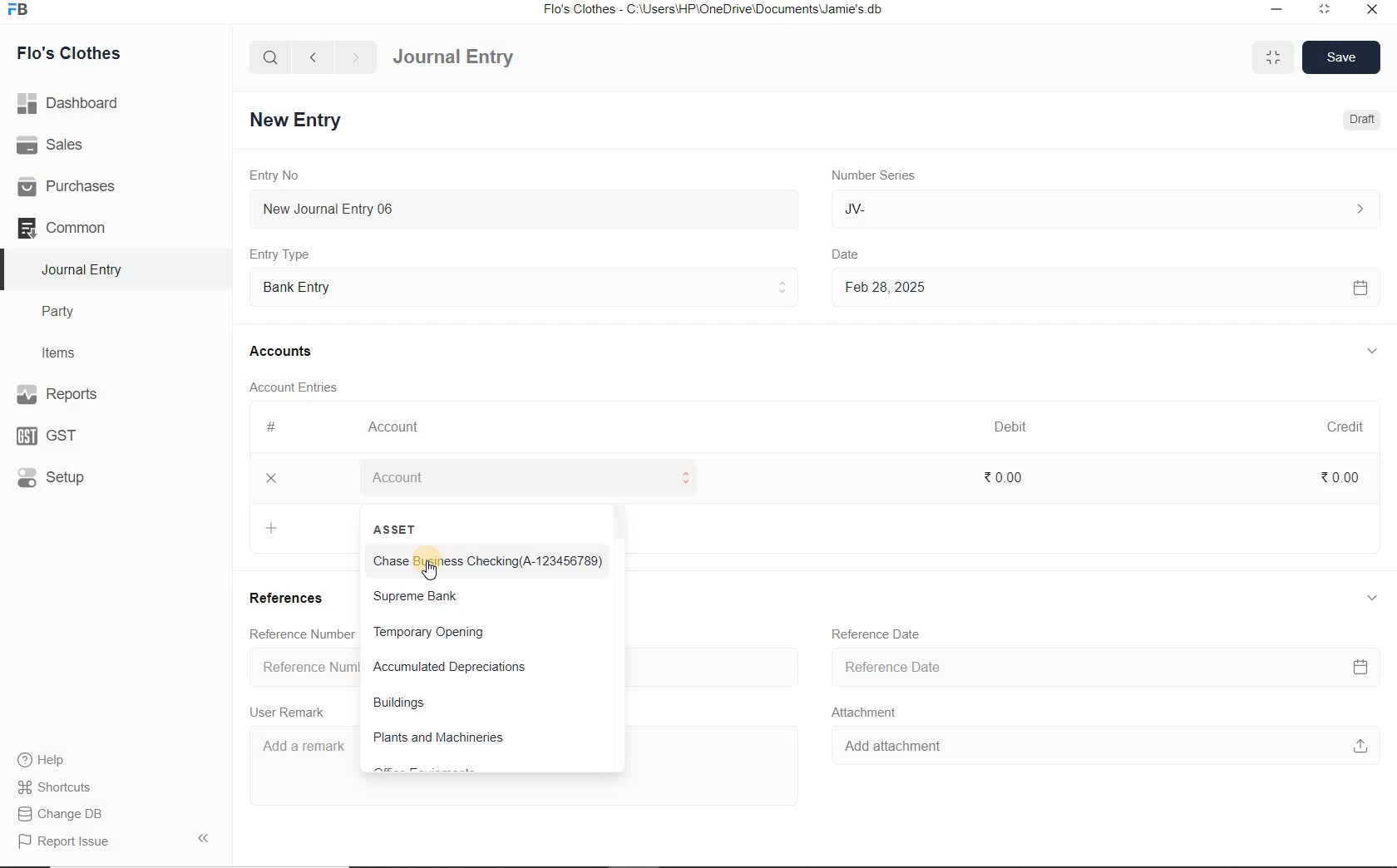  What do you see at coordinates (81, 227) in the screenshot?
I see `Common` at bounding box center [81, 227].